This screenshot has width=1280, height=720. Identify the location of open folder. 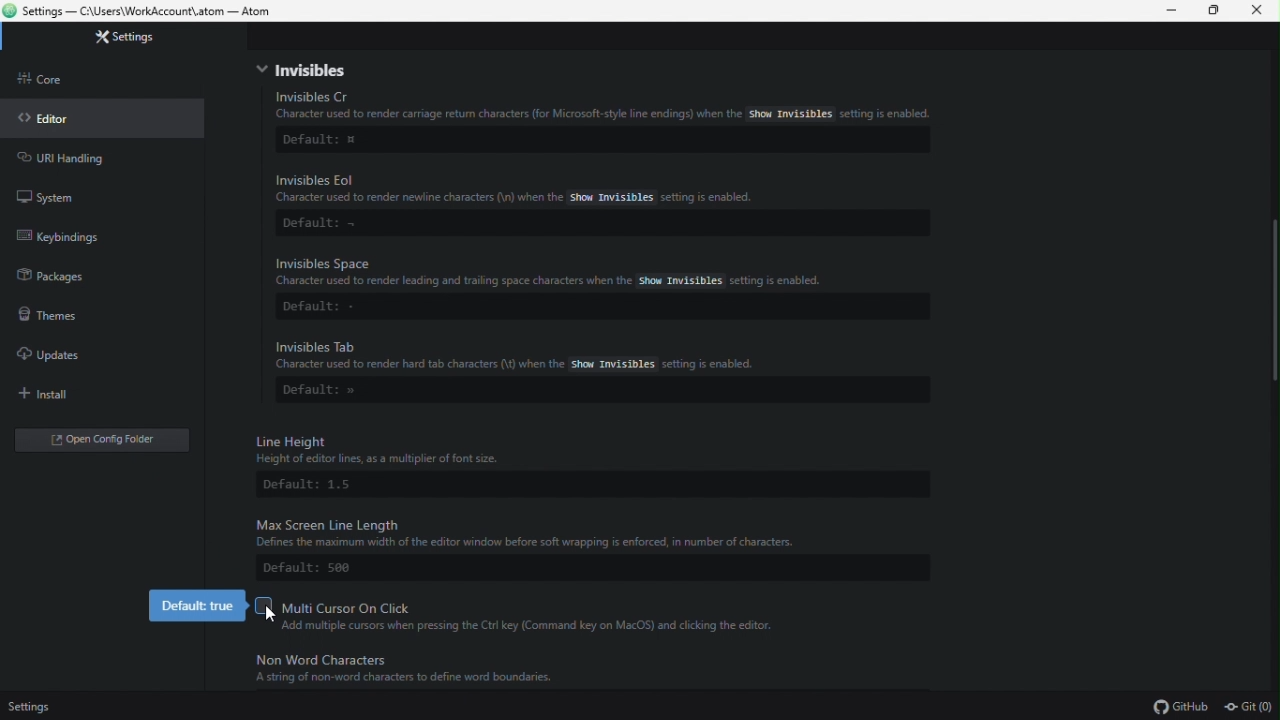
(123, 440).